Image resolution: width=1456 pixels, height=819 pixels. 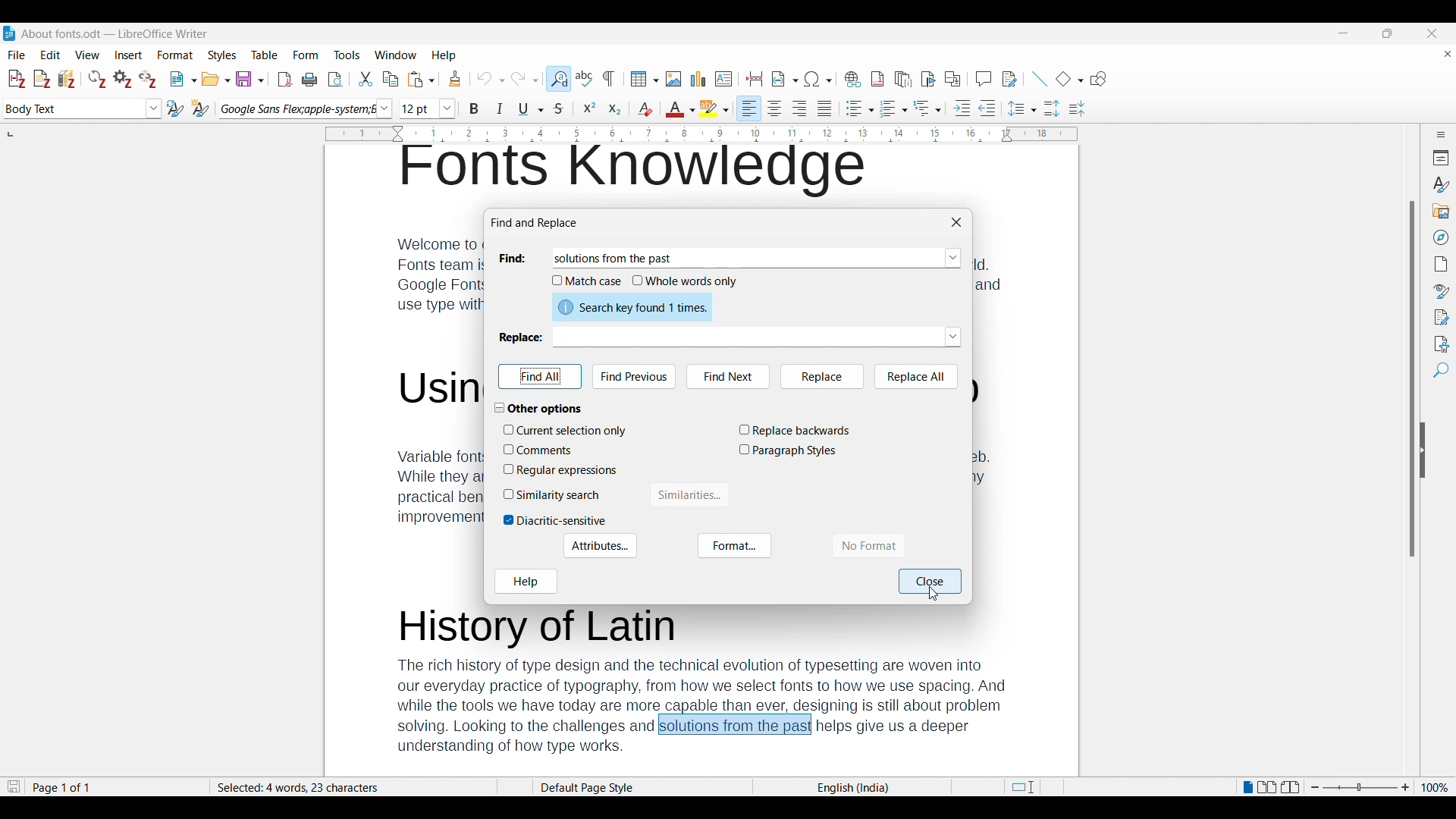 I want to click on Insert bookmark, so click(x=928, y=78).